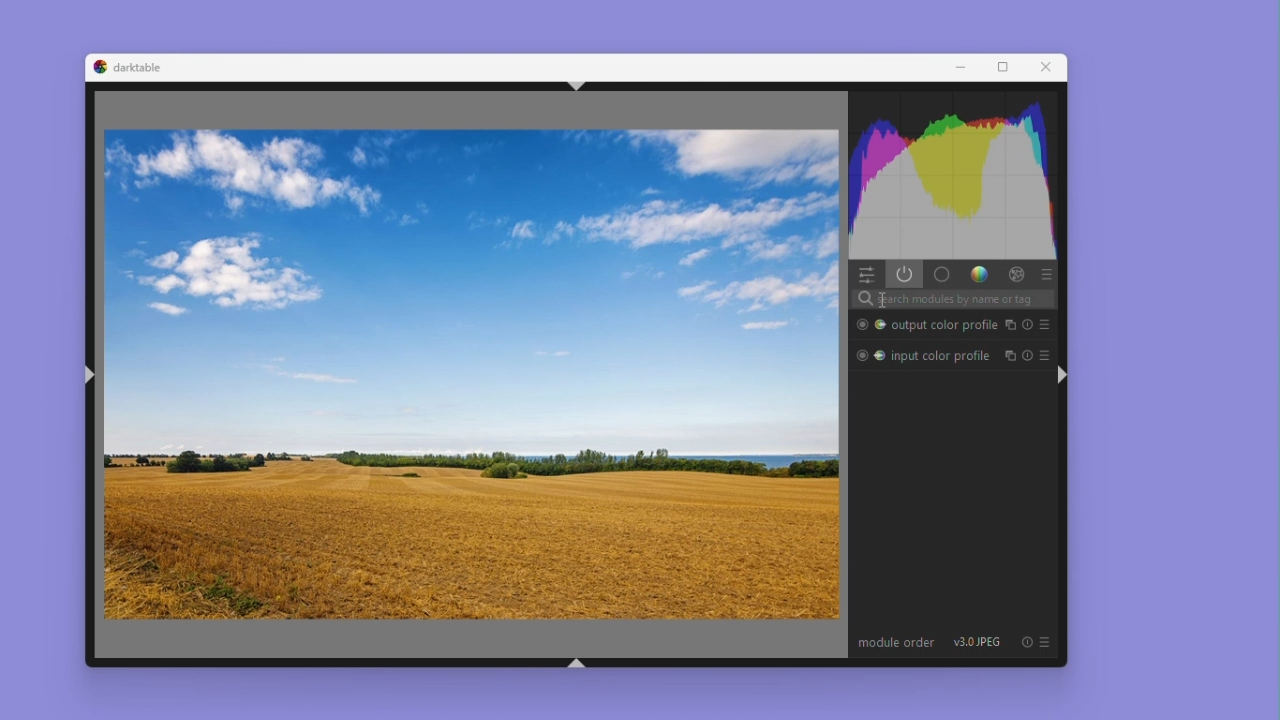  Describe the element at coordinates (2739, 942) in the screenshot. I see `multiple instance` at that location.